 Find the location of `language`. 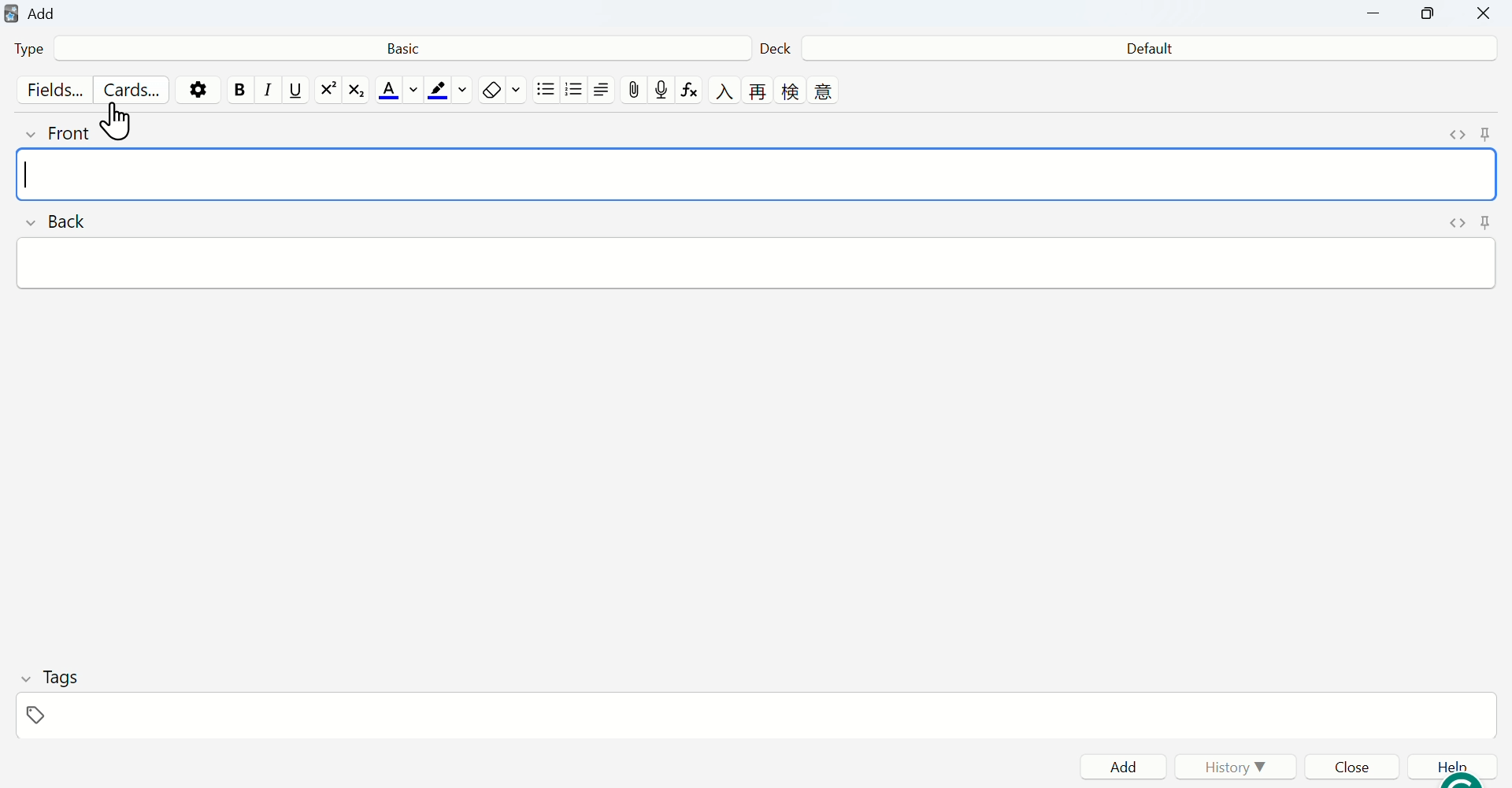

language is located at coordinates (791, 90).